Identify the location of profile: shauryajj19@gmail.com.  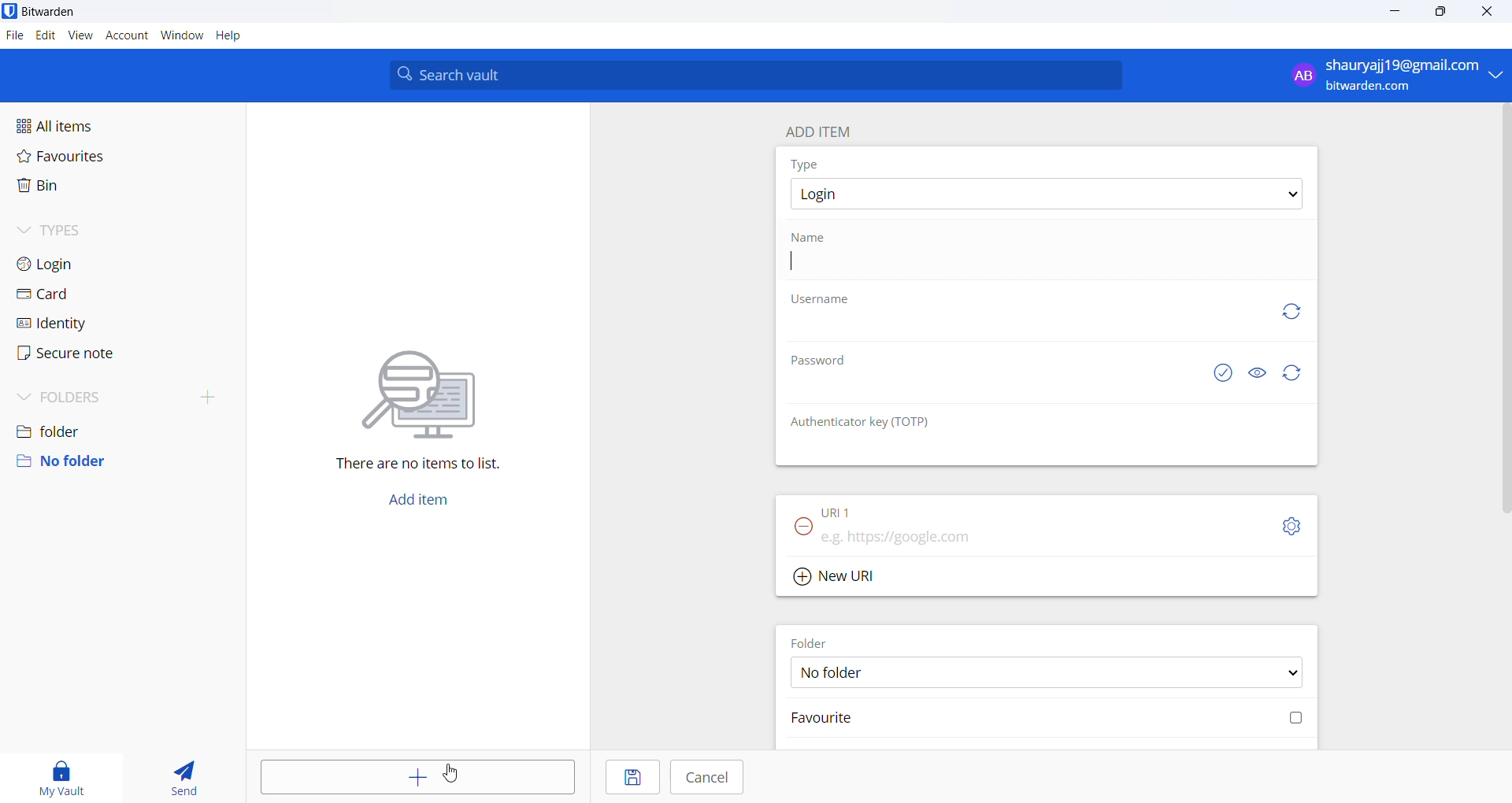
(1392, 75).